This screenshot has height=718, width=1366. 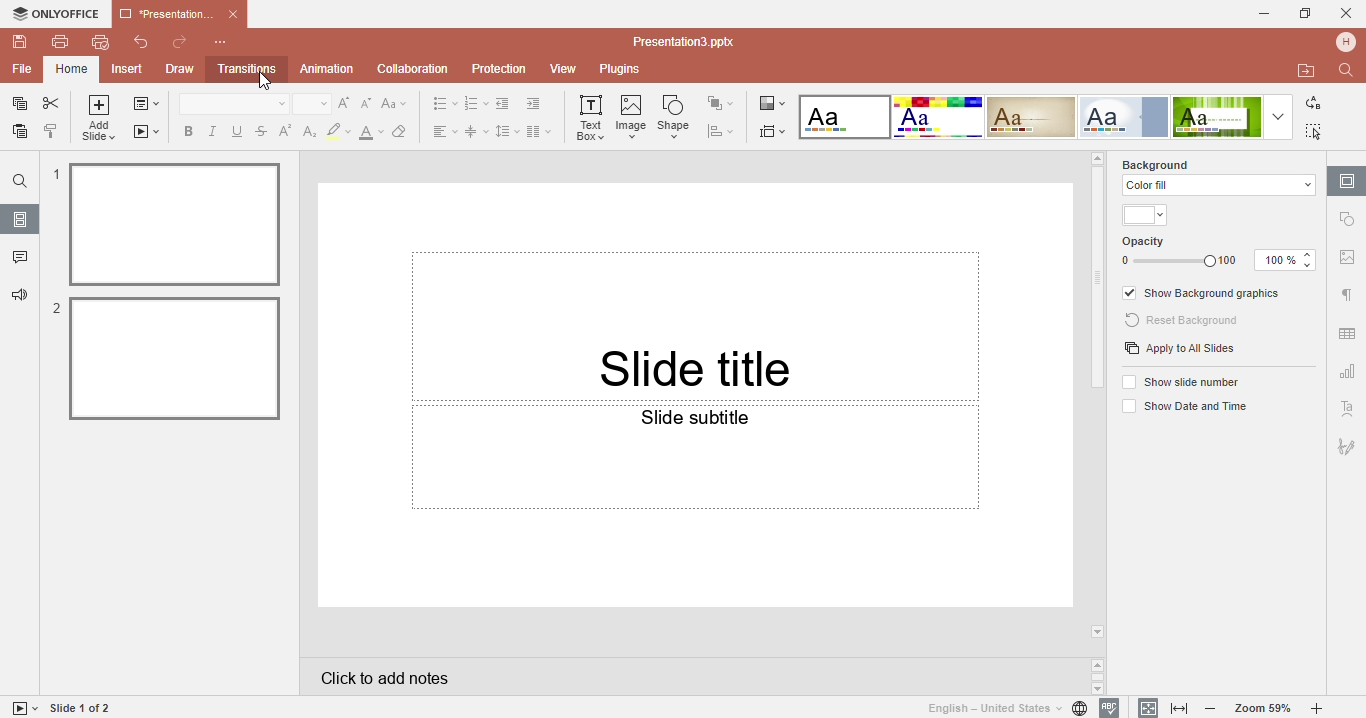 I want to click on Slected file 2, so click(x=168, y=358).